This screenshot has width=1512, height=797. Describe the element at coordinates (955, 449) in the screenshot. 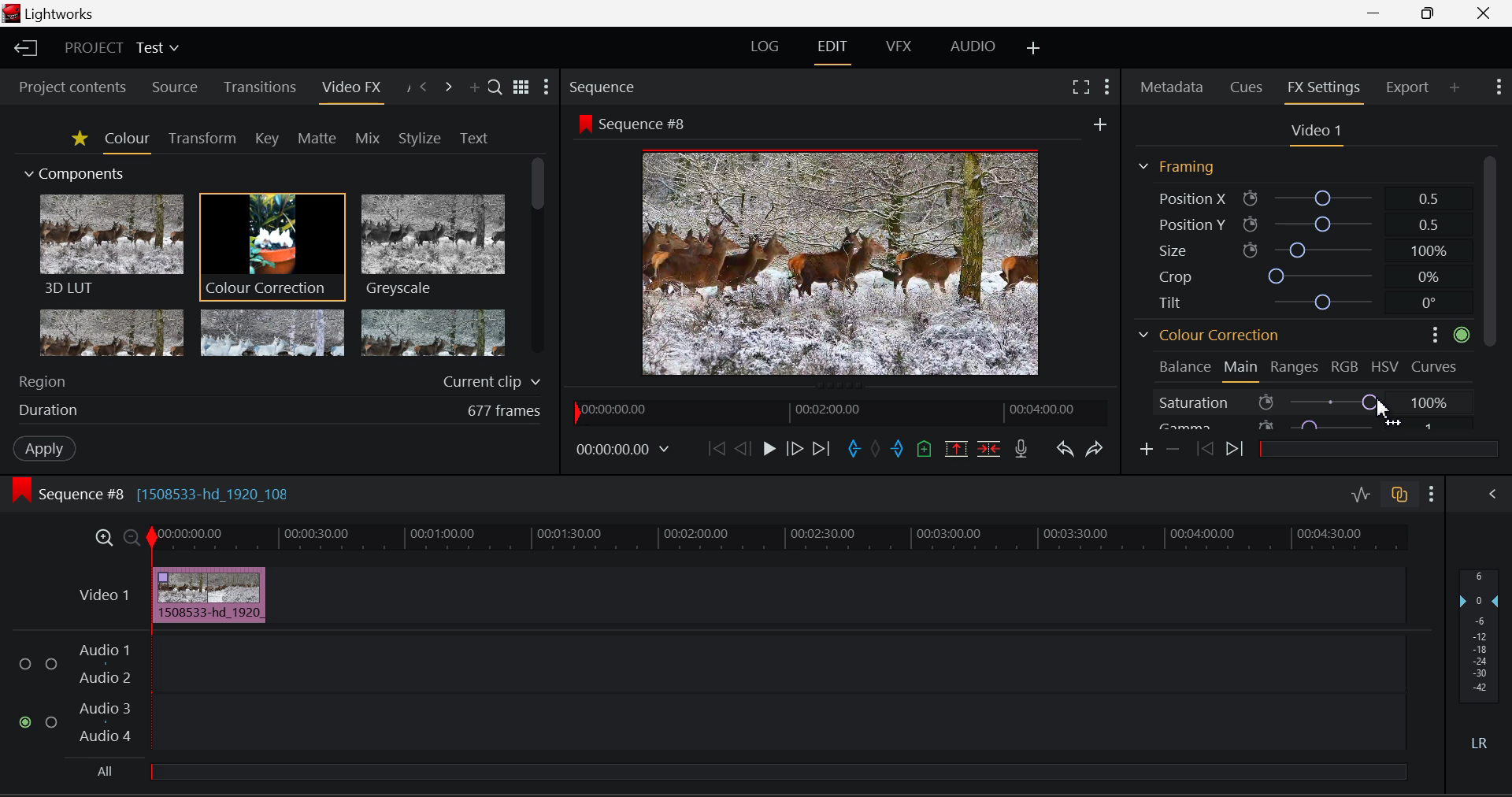

I see `Remove Marked Section` at that location.